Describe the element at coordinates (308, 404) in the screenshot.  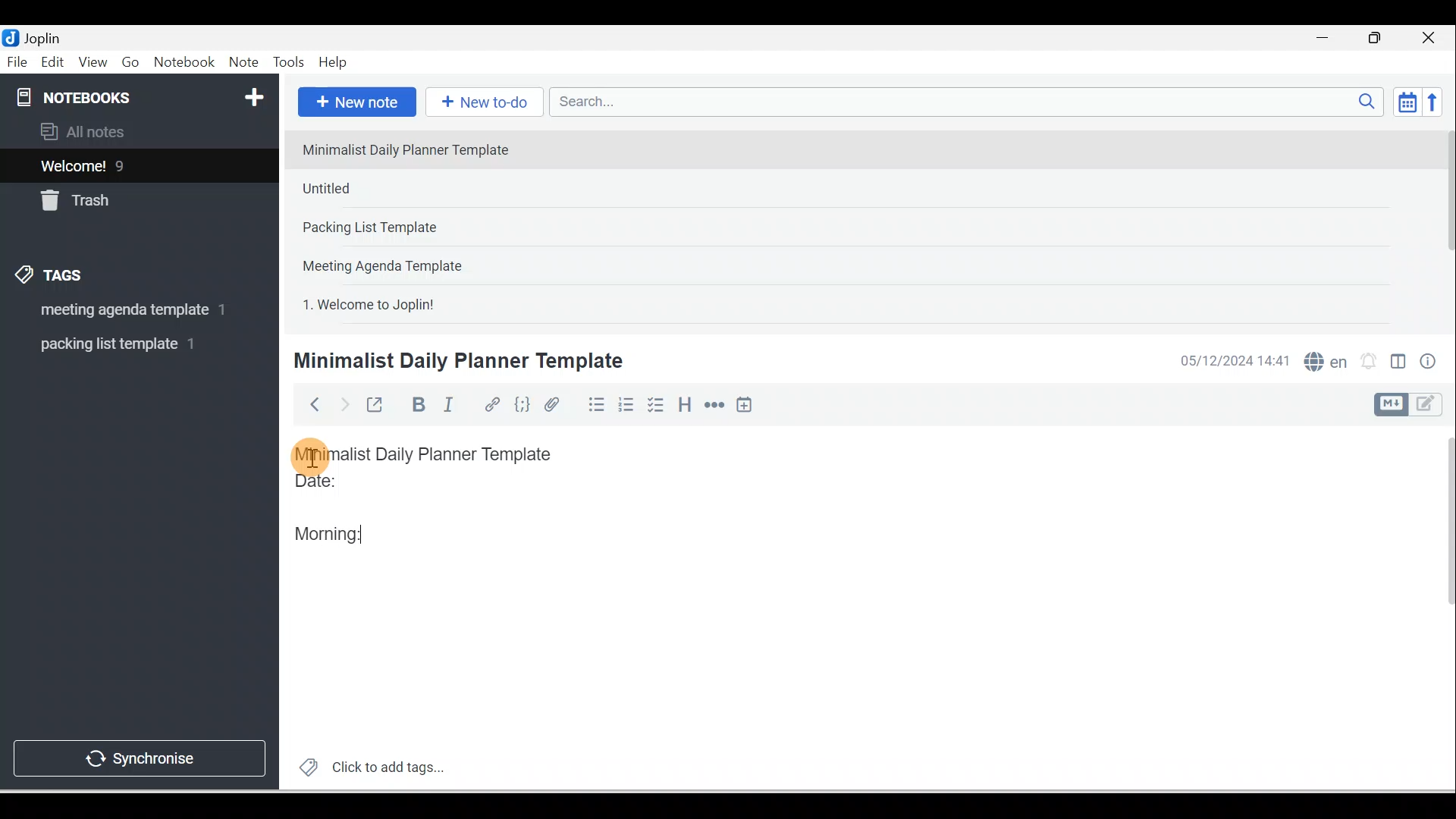
I see `Back` at that location.